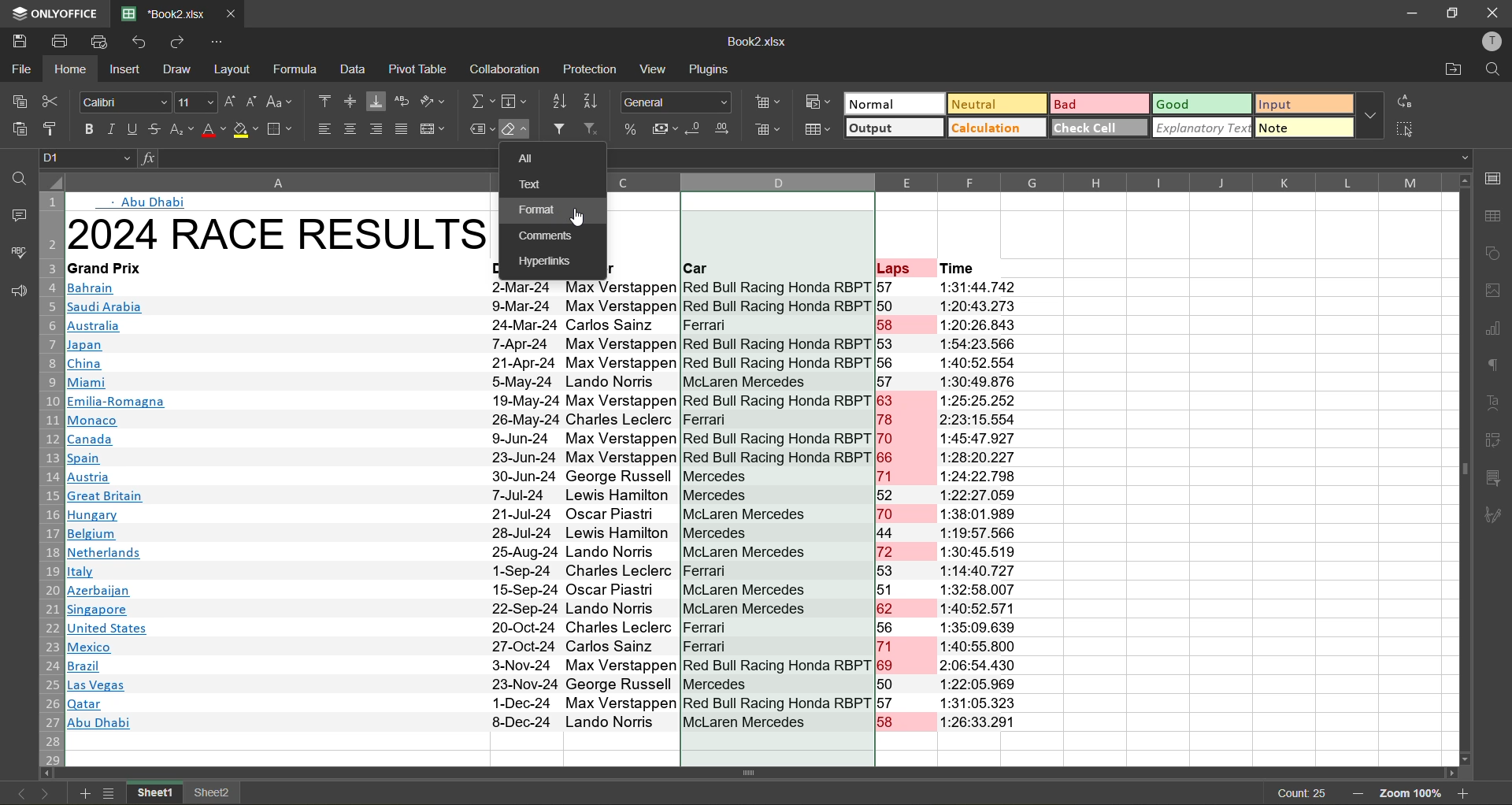 This screenshot has width=1512, height=805. What do you see at coordinates (1499, 216) in the screenshot?
I see `table` at bounding box center [1499, 216].